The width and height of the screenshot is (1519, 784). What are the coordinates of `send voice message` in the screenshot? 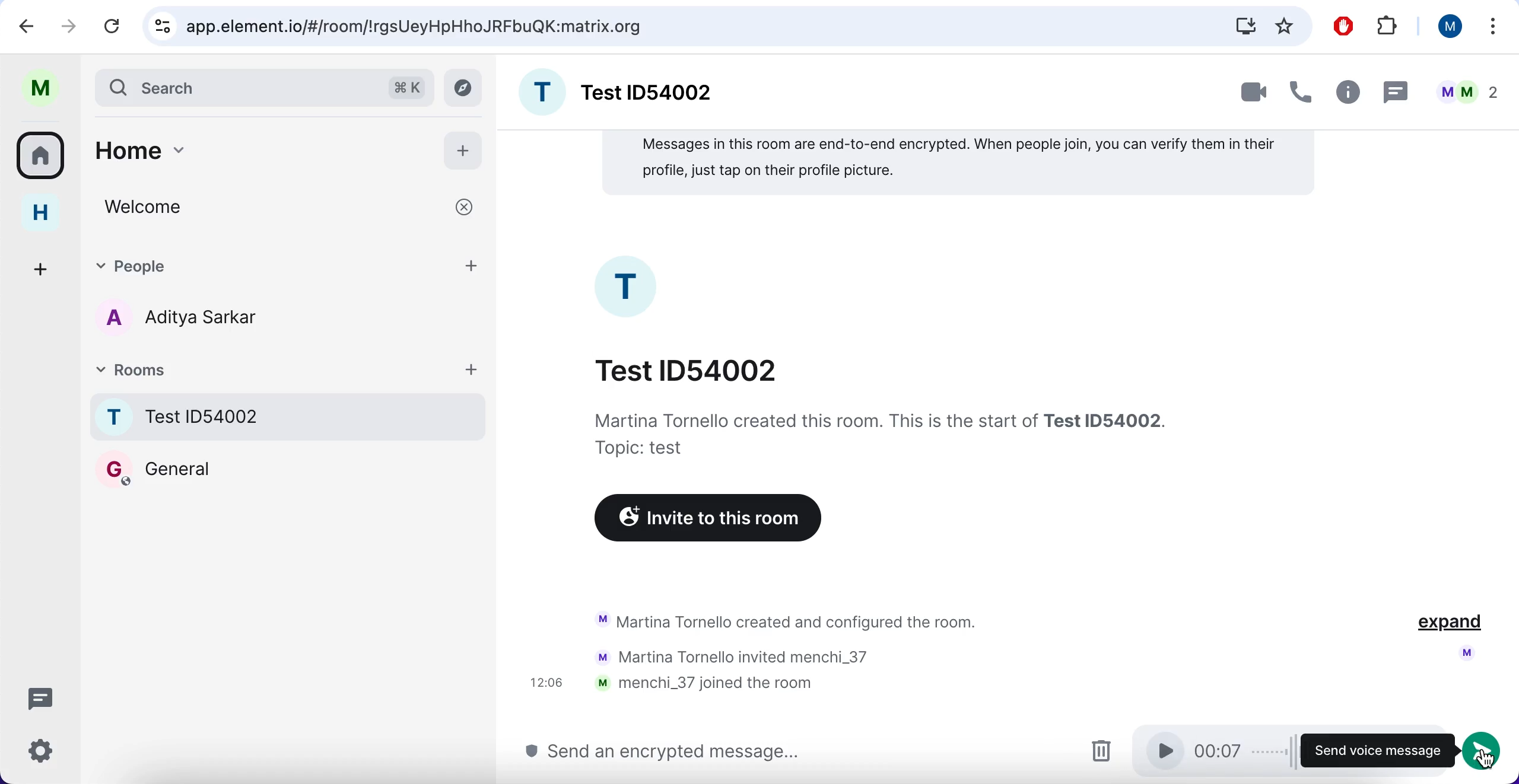 It's located at (1371, 751).